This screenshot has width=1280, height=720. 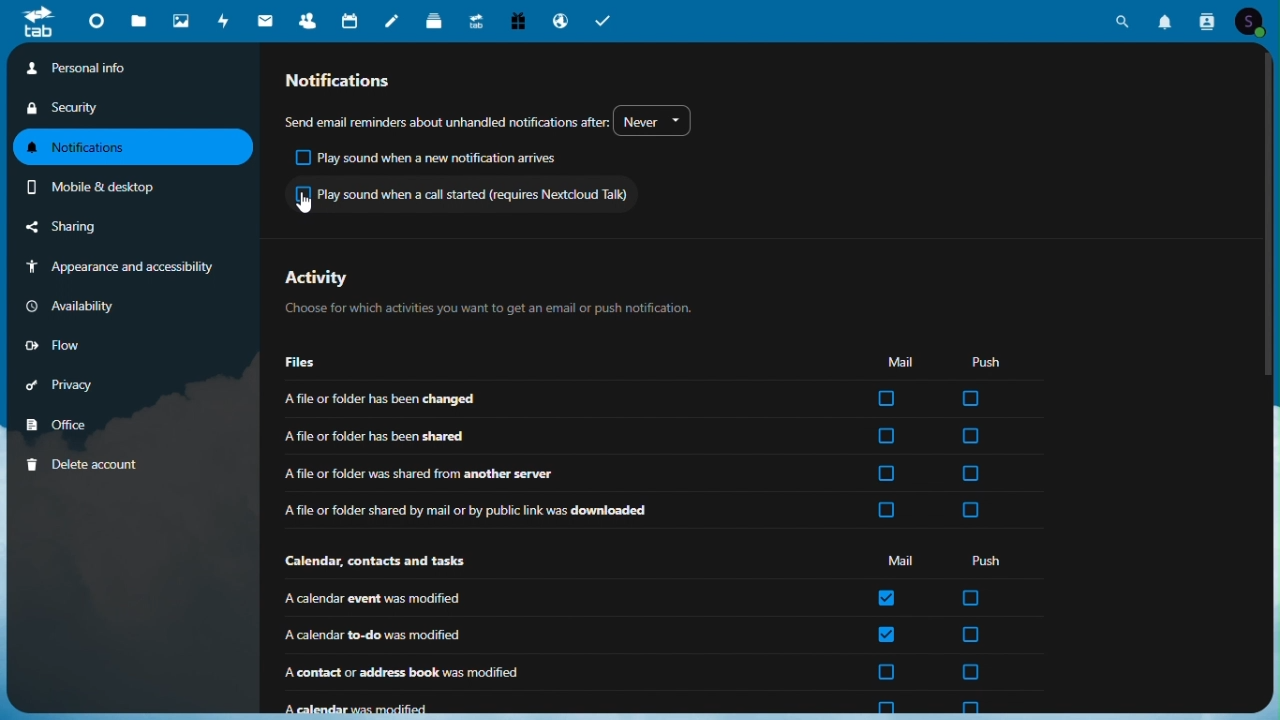 I want to click on Push, so click(x=991, y=560).